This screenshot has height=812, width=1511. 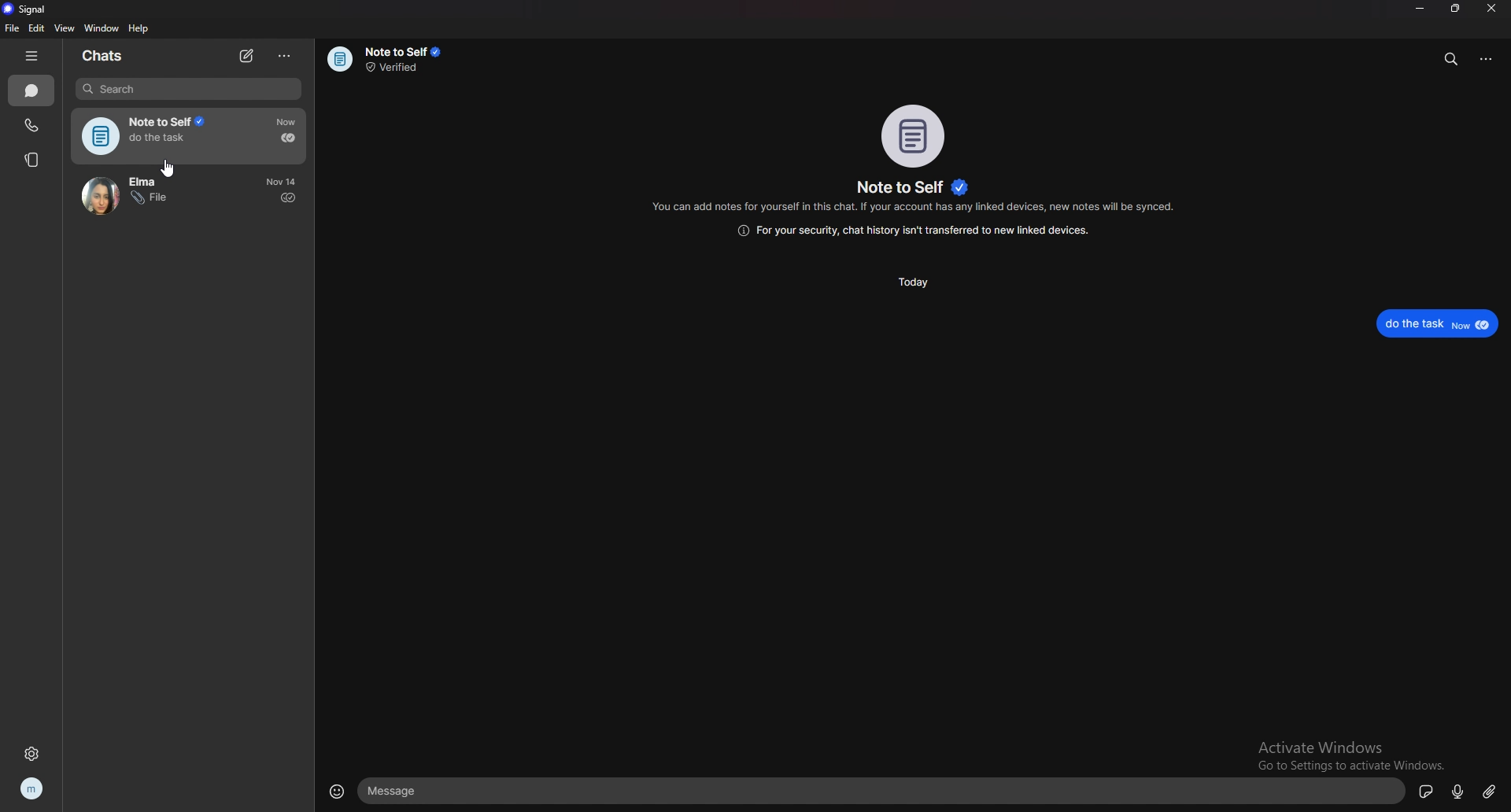 What do you see at coordinates (1454, 57) in the screenshot?
I see `search messages` at bounding box center [1454, 57].